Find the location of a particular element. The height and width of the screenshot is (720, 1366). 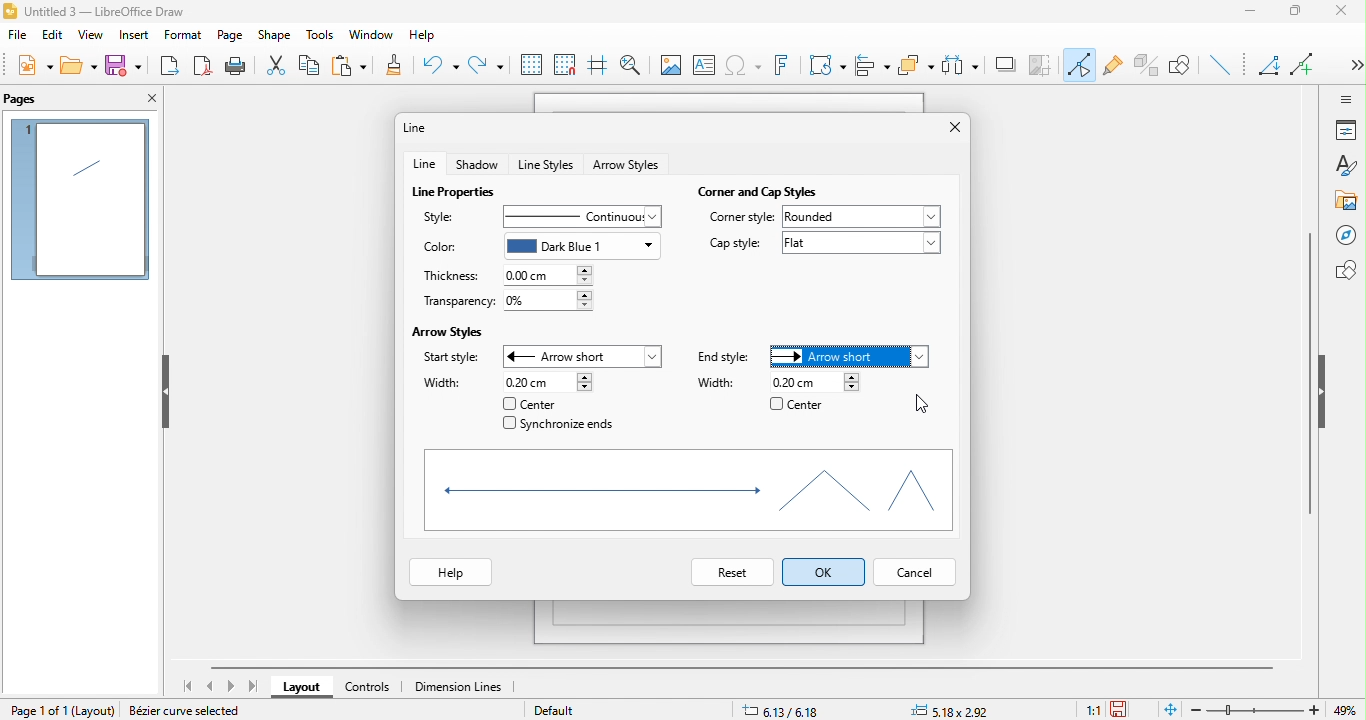

center is located at coordinates (533, 405).